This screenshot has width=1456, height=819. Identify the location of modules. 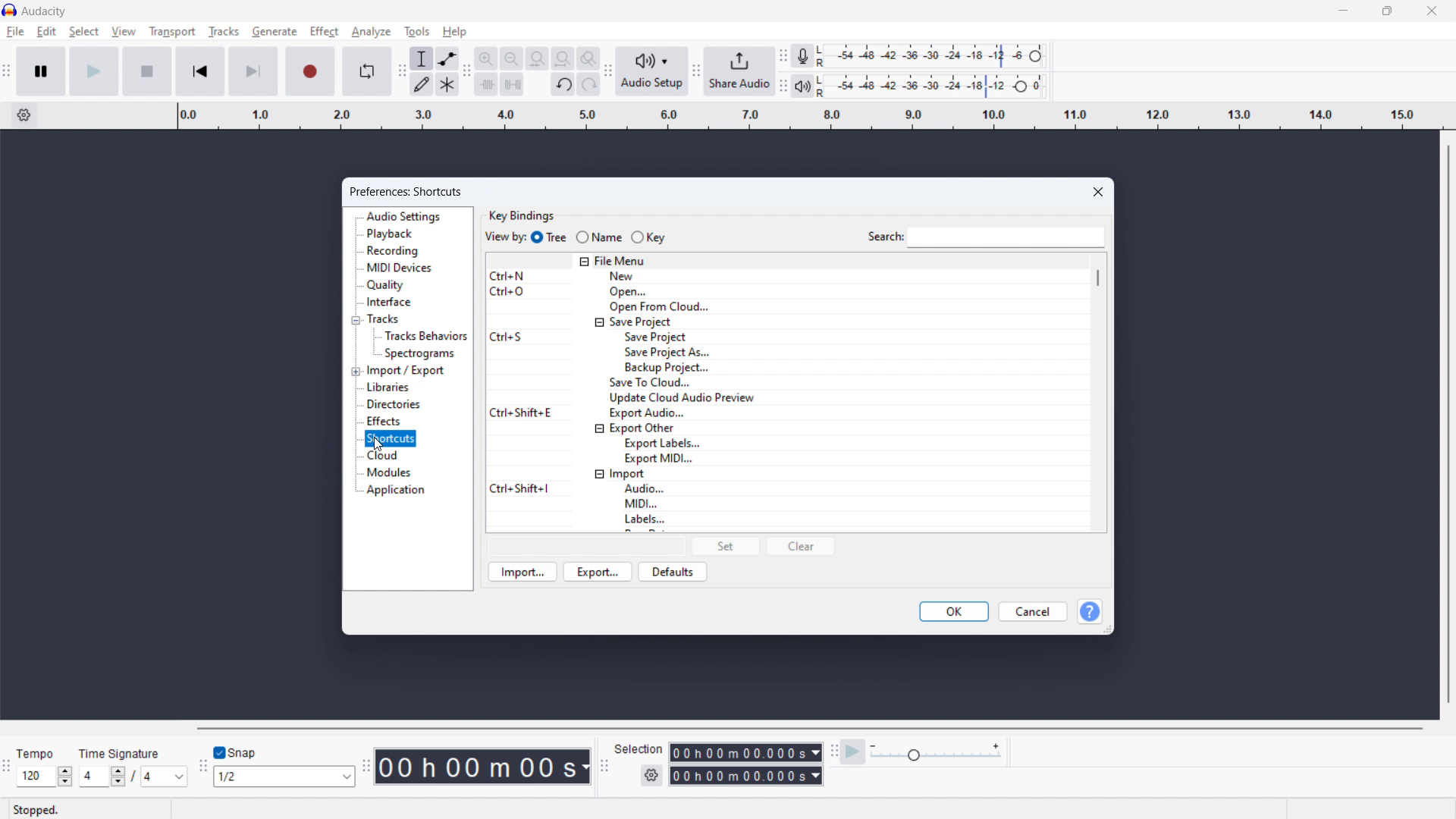
(391, 472).